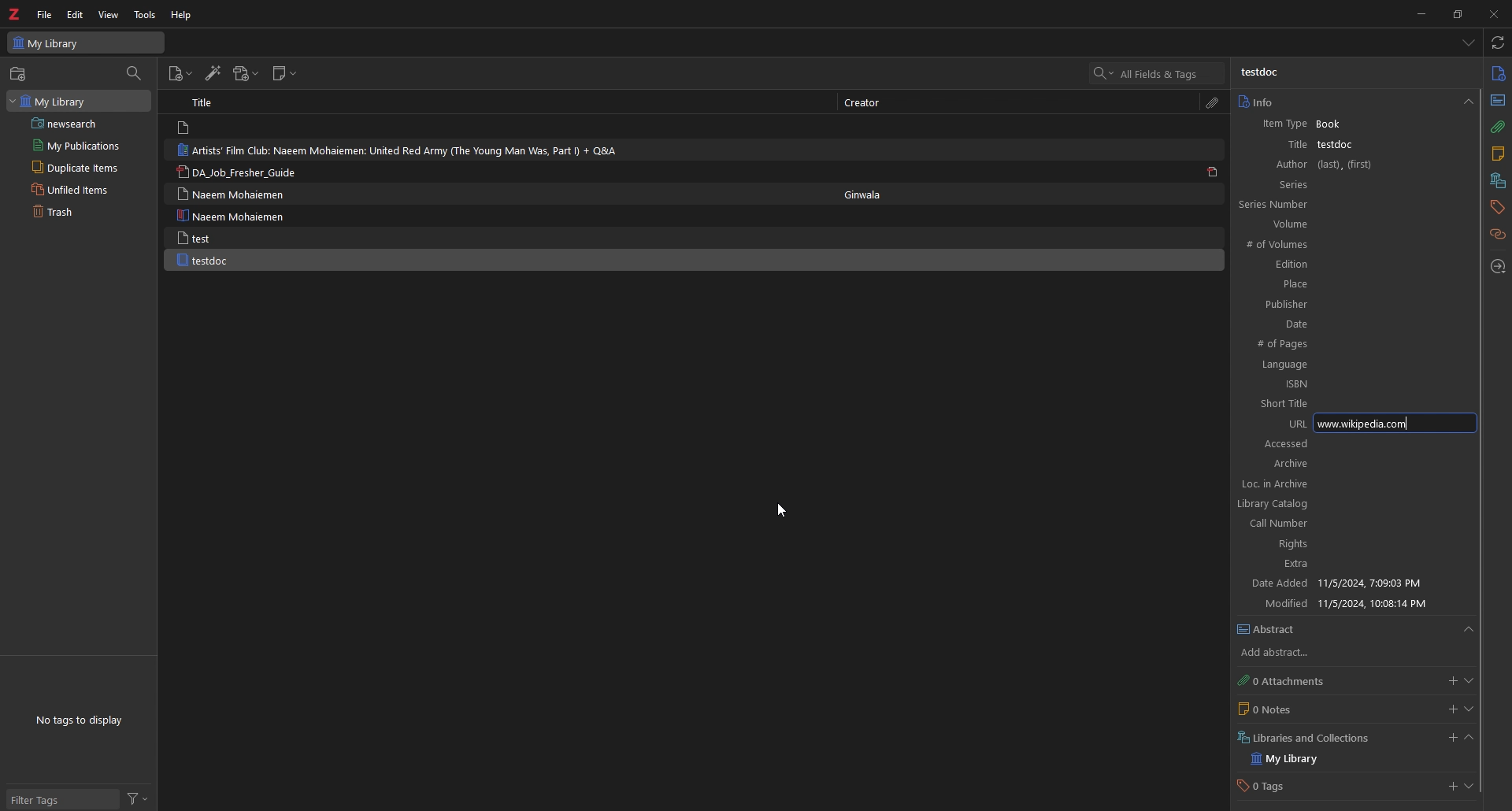  I want to click on URL, so click(1293, 423).